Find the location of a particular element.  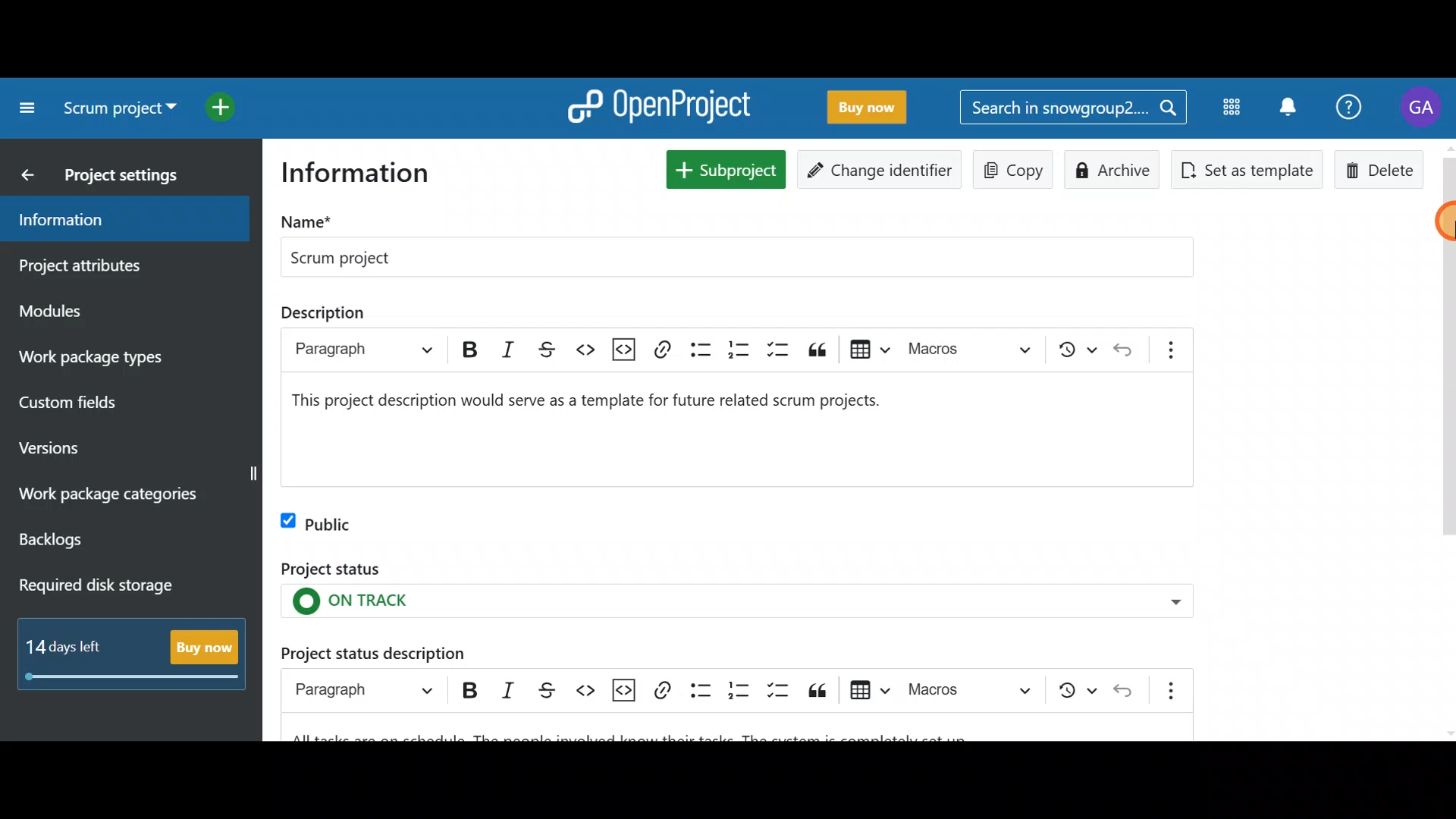

Undo is located at coordinates (1124, 689).